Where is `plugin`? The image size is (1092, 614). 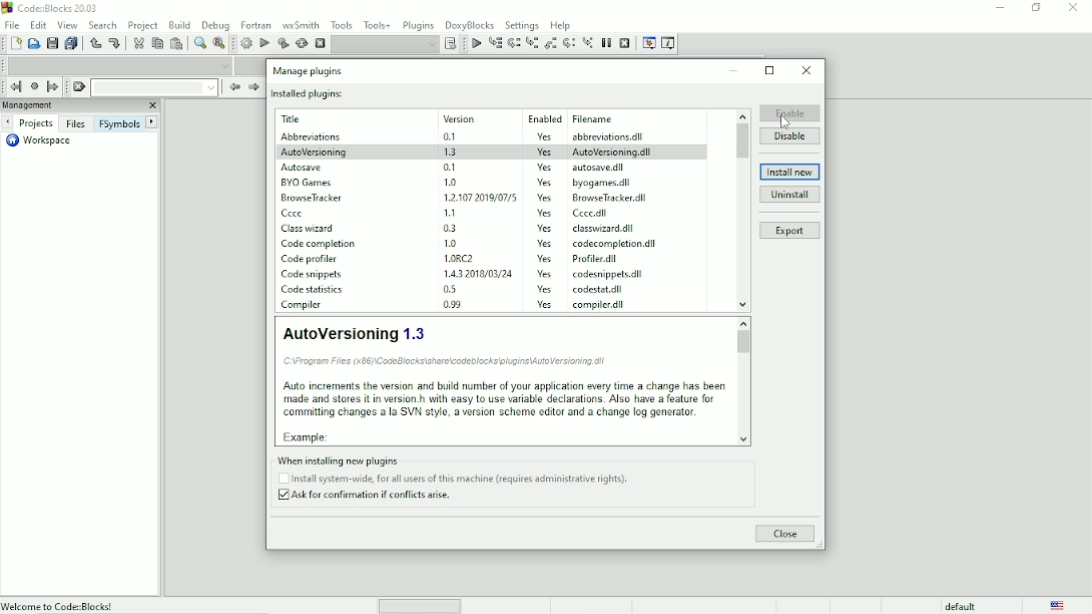 plugin is located at coordinates (306, 181).